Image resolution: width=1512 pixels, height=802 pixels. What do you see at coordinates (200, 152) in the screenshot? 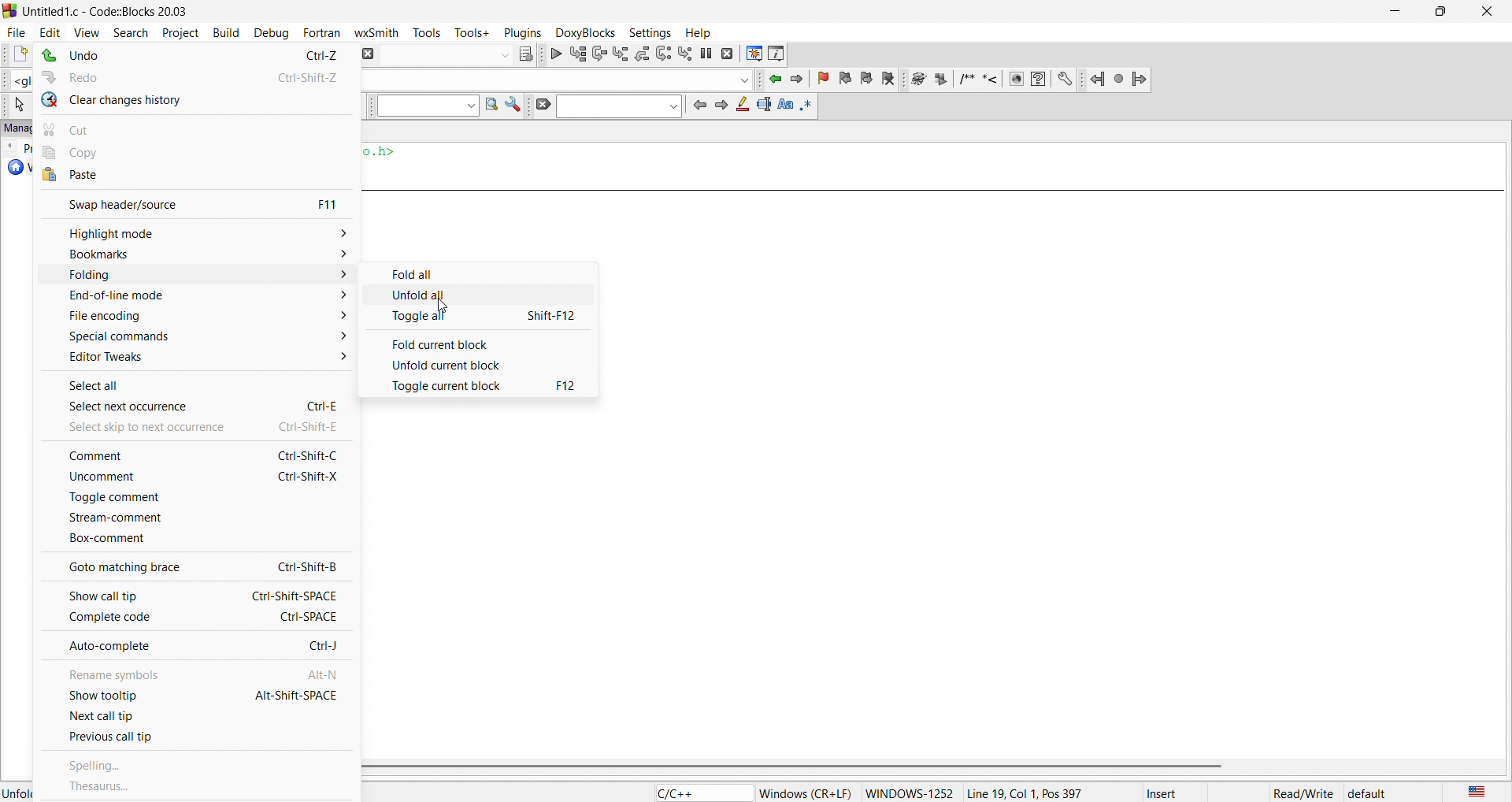
I see `copy` at bounding box center [200, 152].